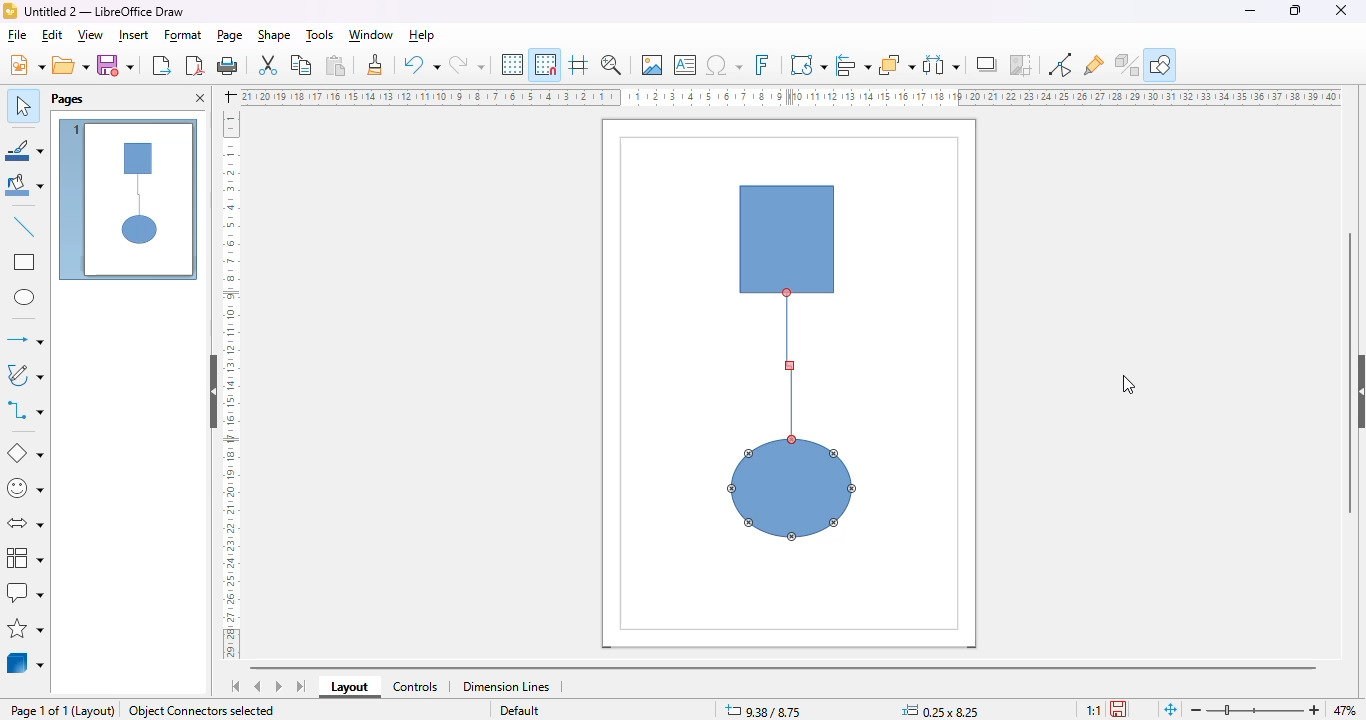 This screenshot has width=1366, height=720. I want to click on insert special characters, so click(724, 65).